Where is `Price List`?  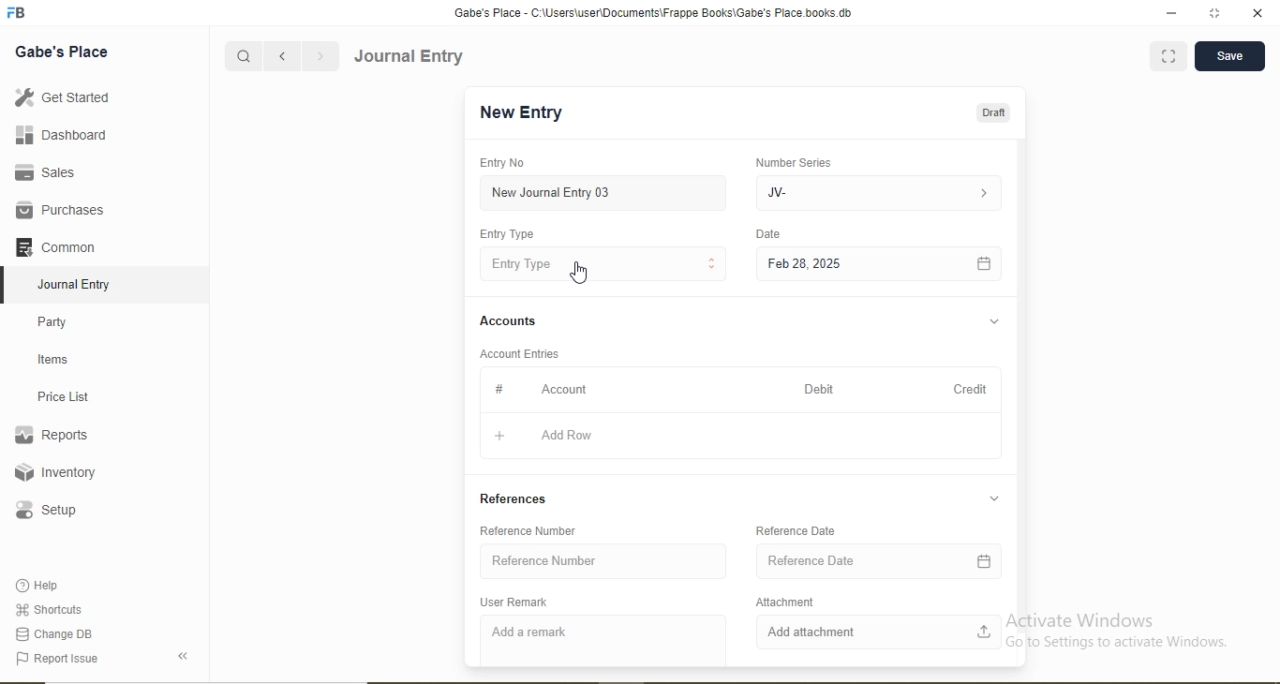 Price List is located at coordinates (62, 397).